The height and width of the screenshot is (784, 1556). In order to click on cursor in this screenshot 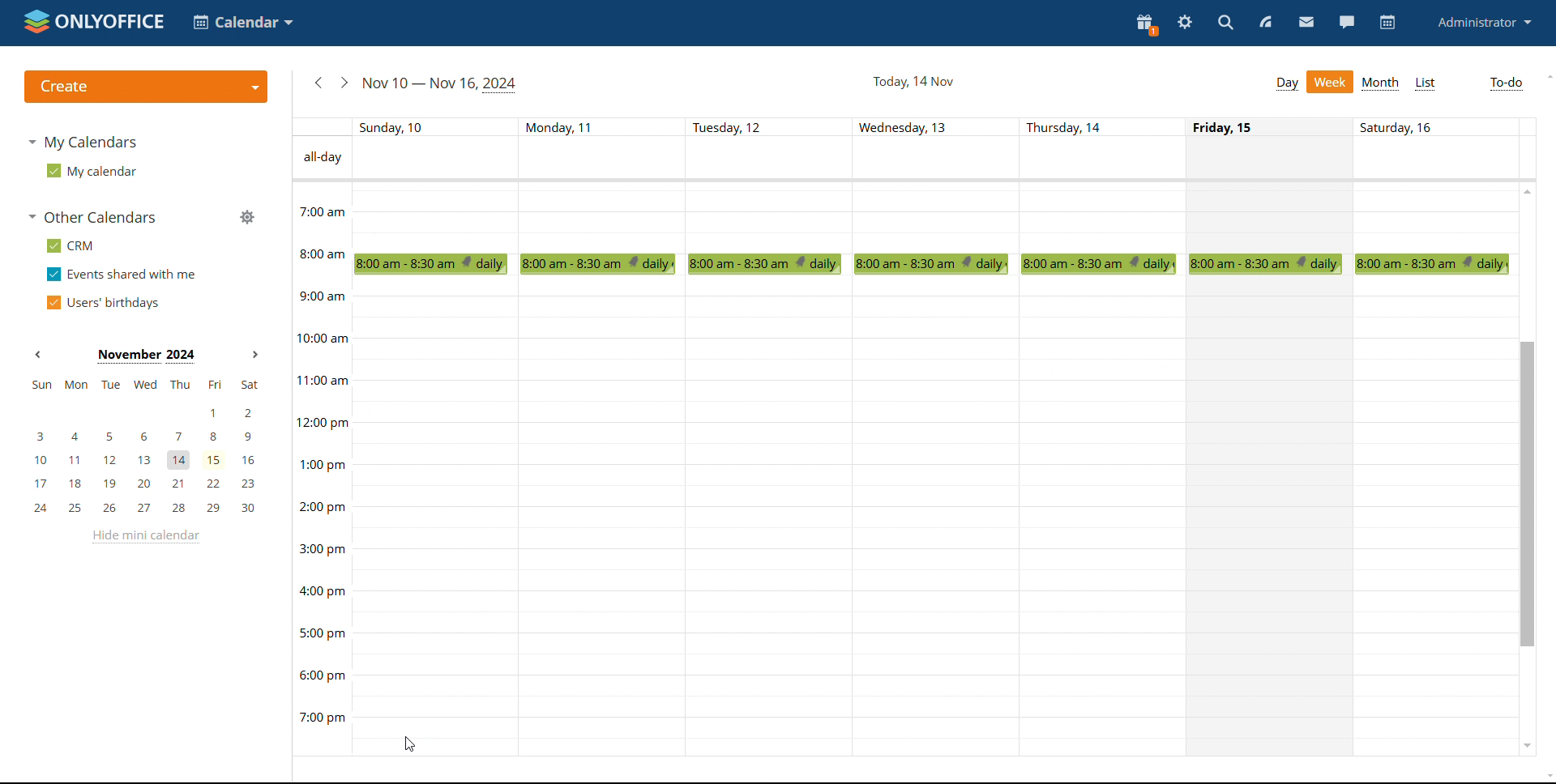, I will do `click(408, 744)`.